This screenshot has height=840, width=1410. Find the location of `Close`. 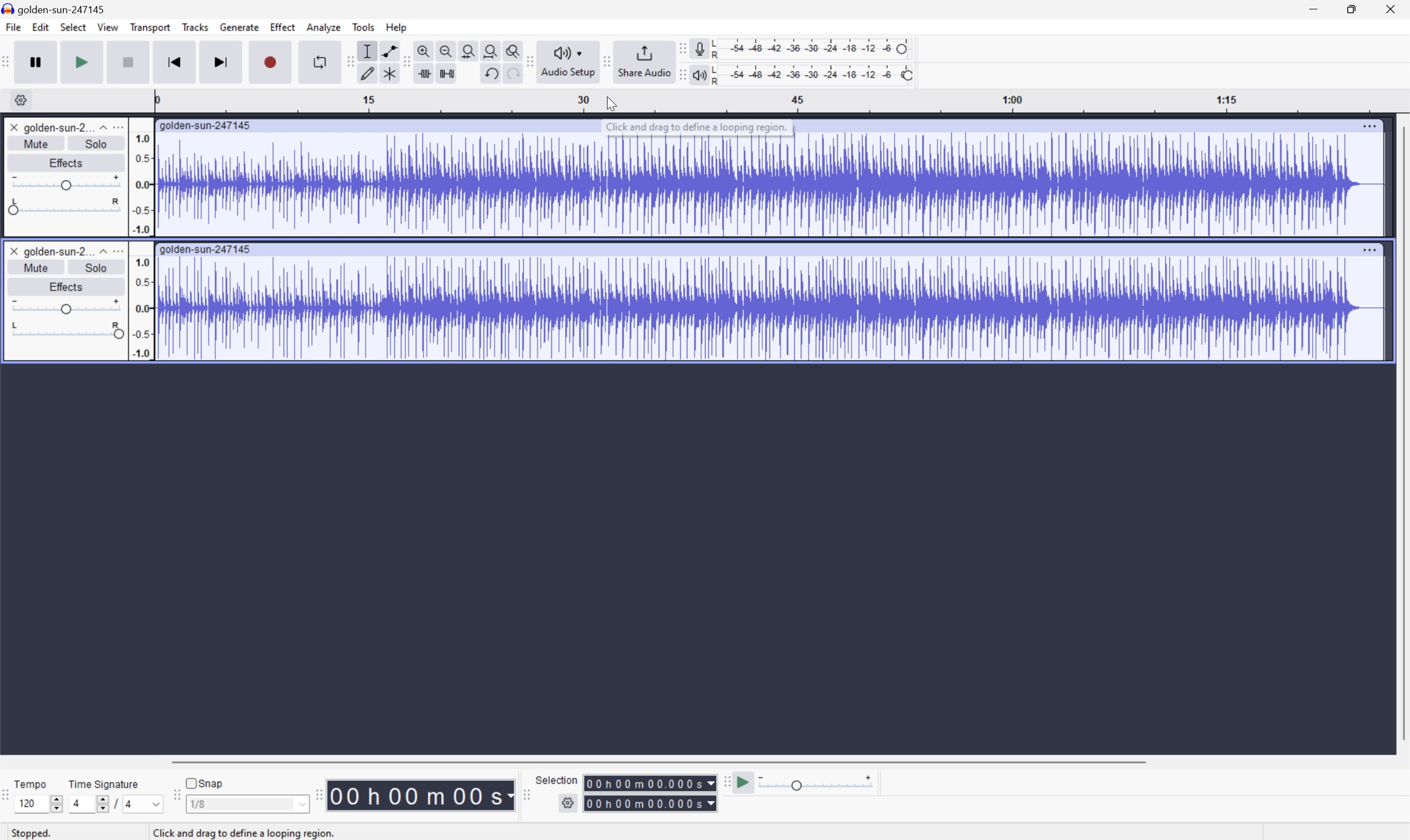

Close is located at coordinates (14, 251).